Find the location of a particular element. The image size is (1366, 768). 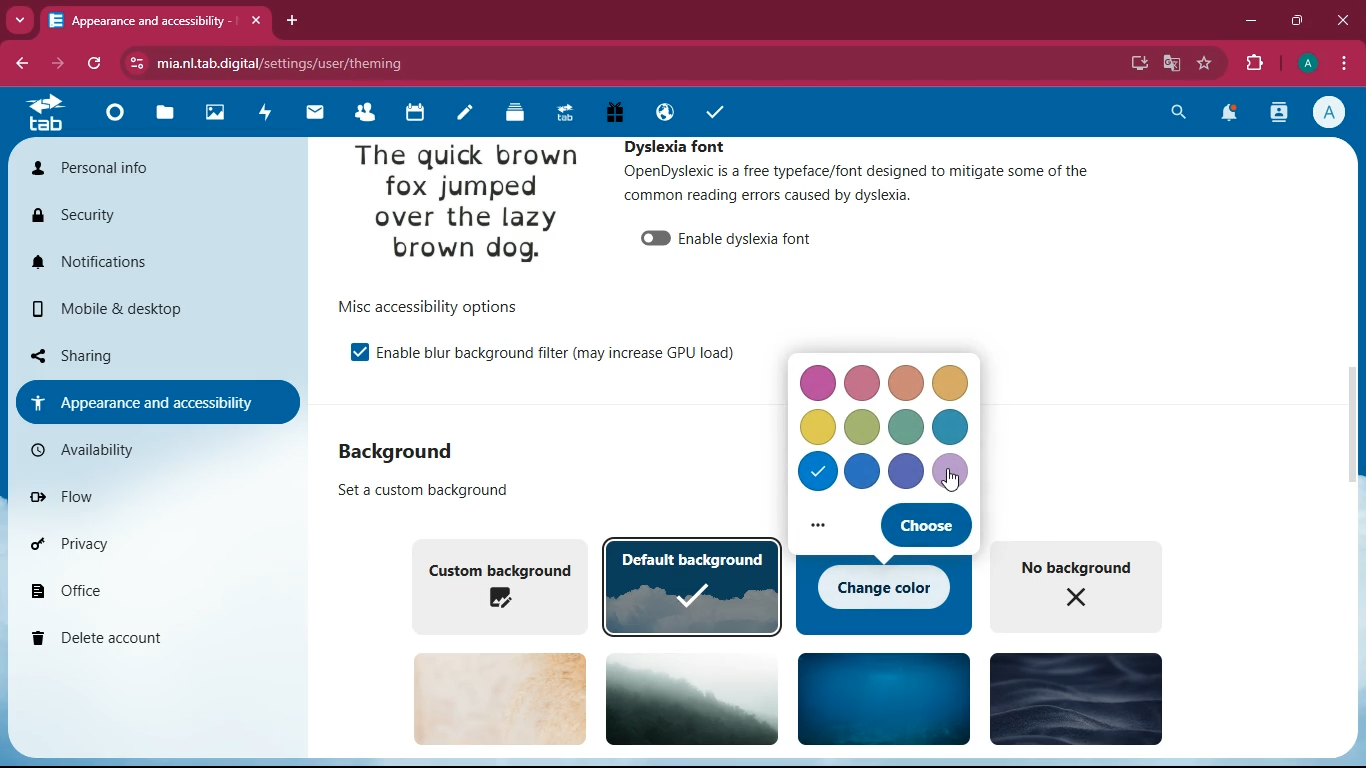

profile is located at coordinates (1307, 63).